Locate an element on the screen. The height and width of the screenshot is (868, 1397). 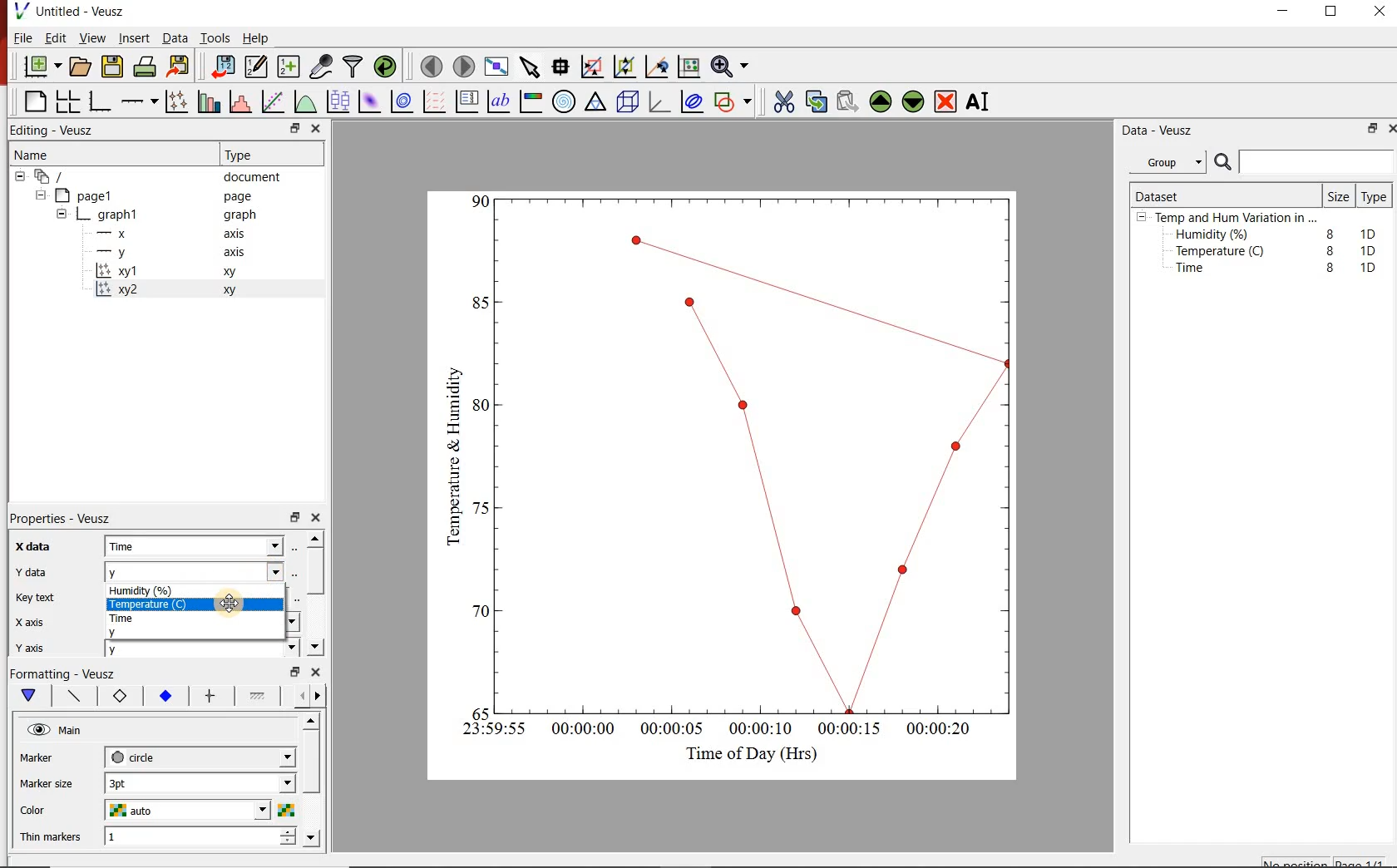
hide sub menu is located at coordinates (18, 179).